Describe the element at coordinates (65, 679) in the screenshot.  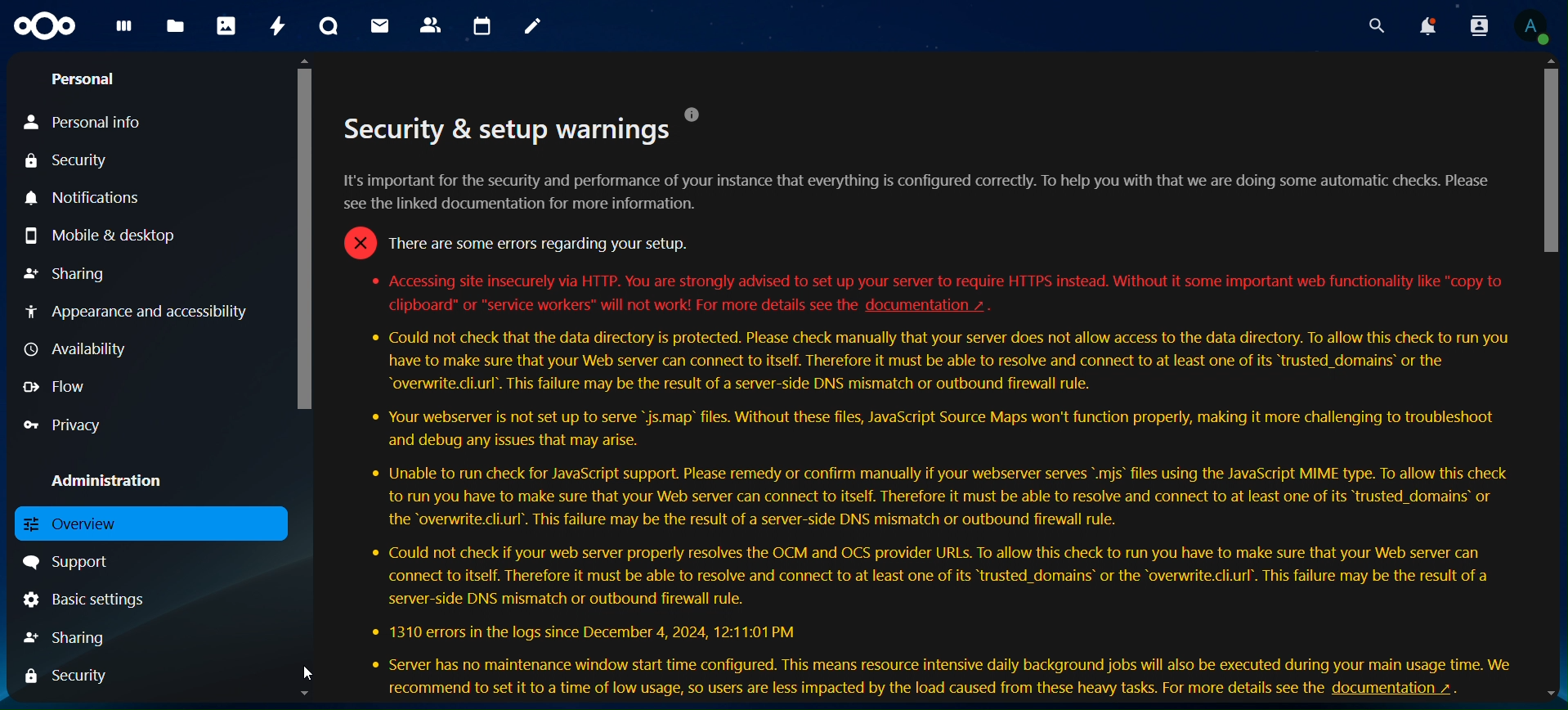
I see `security` at that location.